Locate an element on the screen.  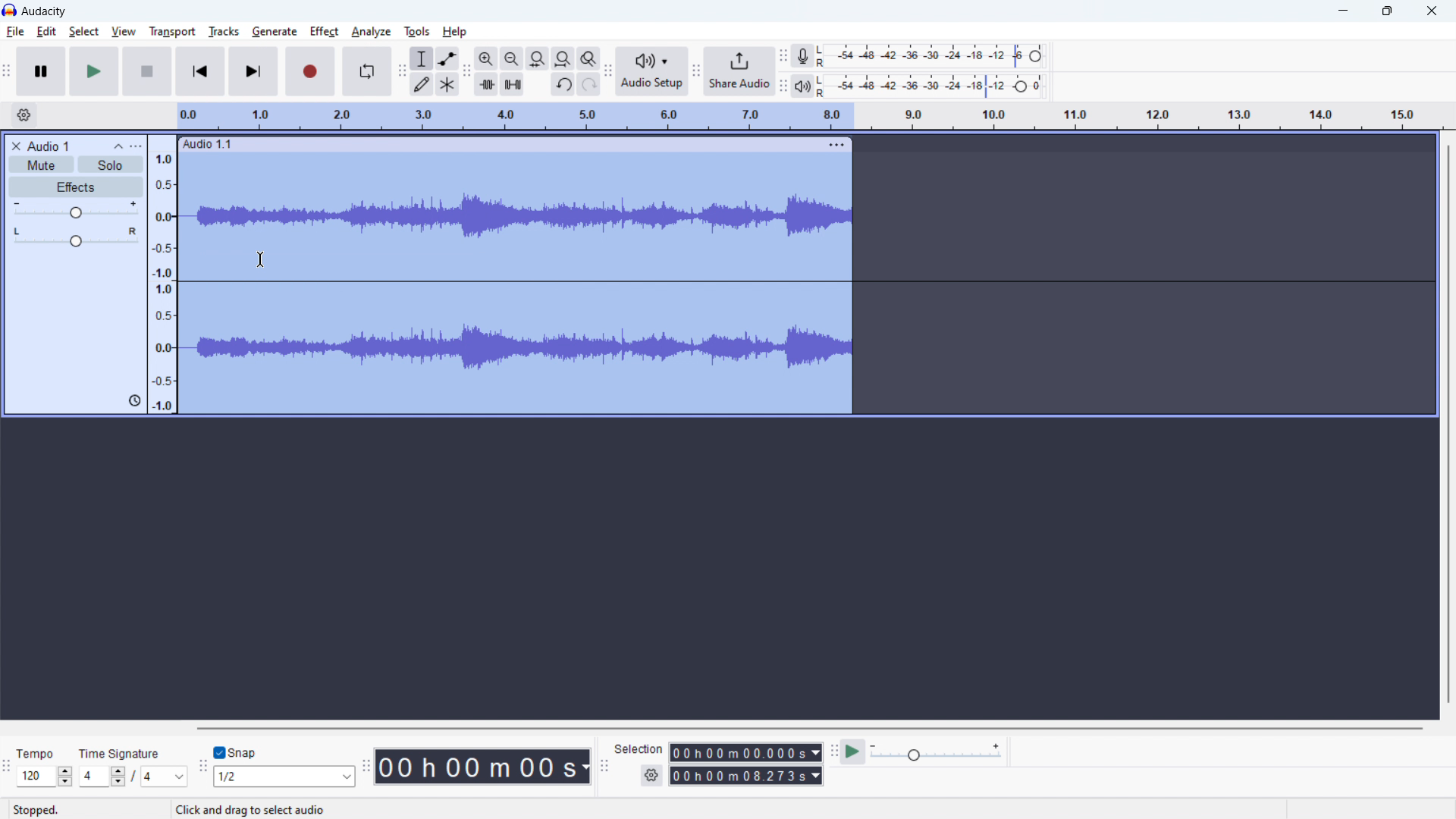
tools toolbar is located at coordinates (401, 71).